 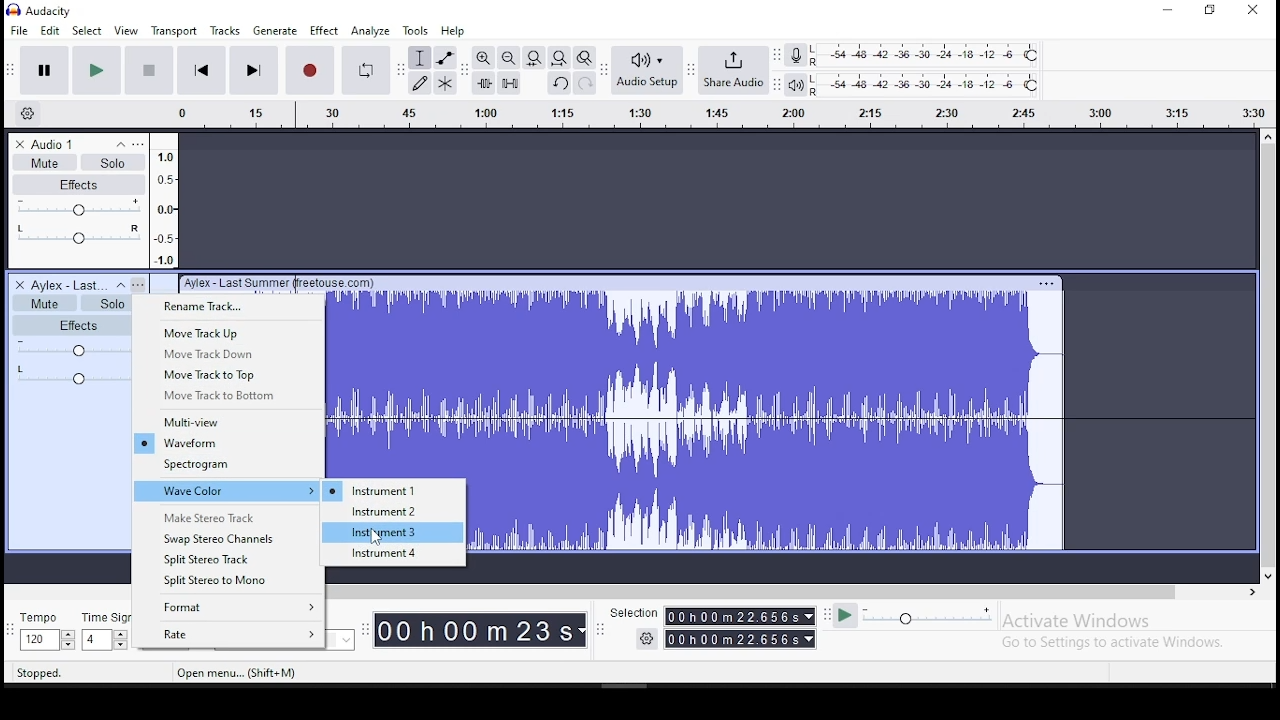 I want to click on 00 h 00 m 23 s, so click(x=479, y=629).